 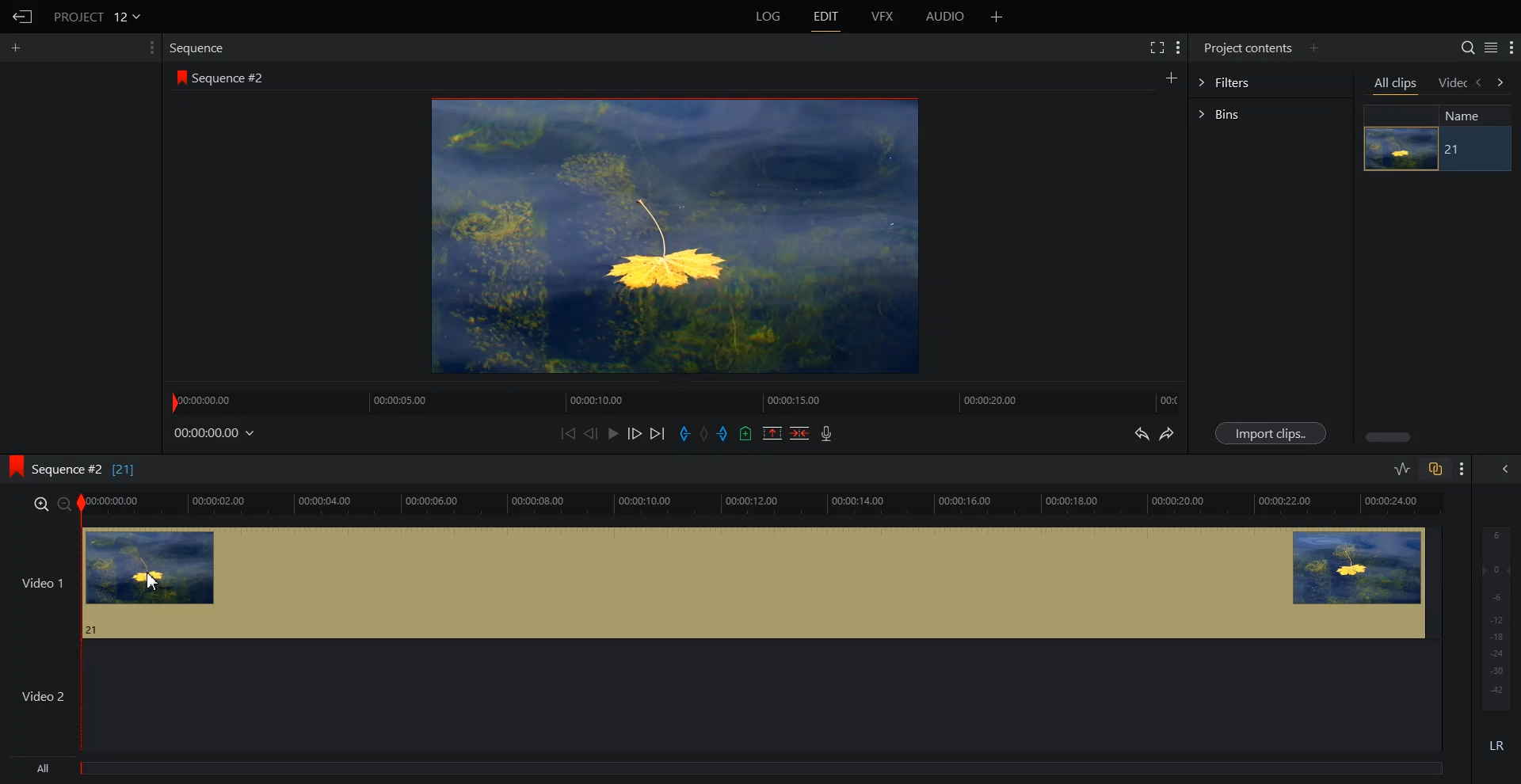 I want to click on Sequence, so click(x=201, y=48).